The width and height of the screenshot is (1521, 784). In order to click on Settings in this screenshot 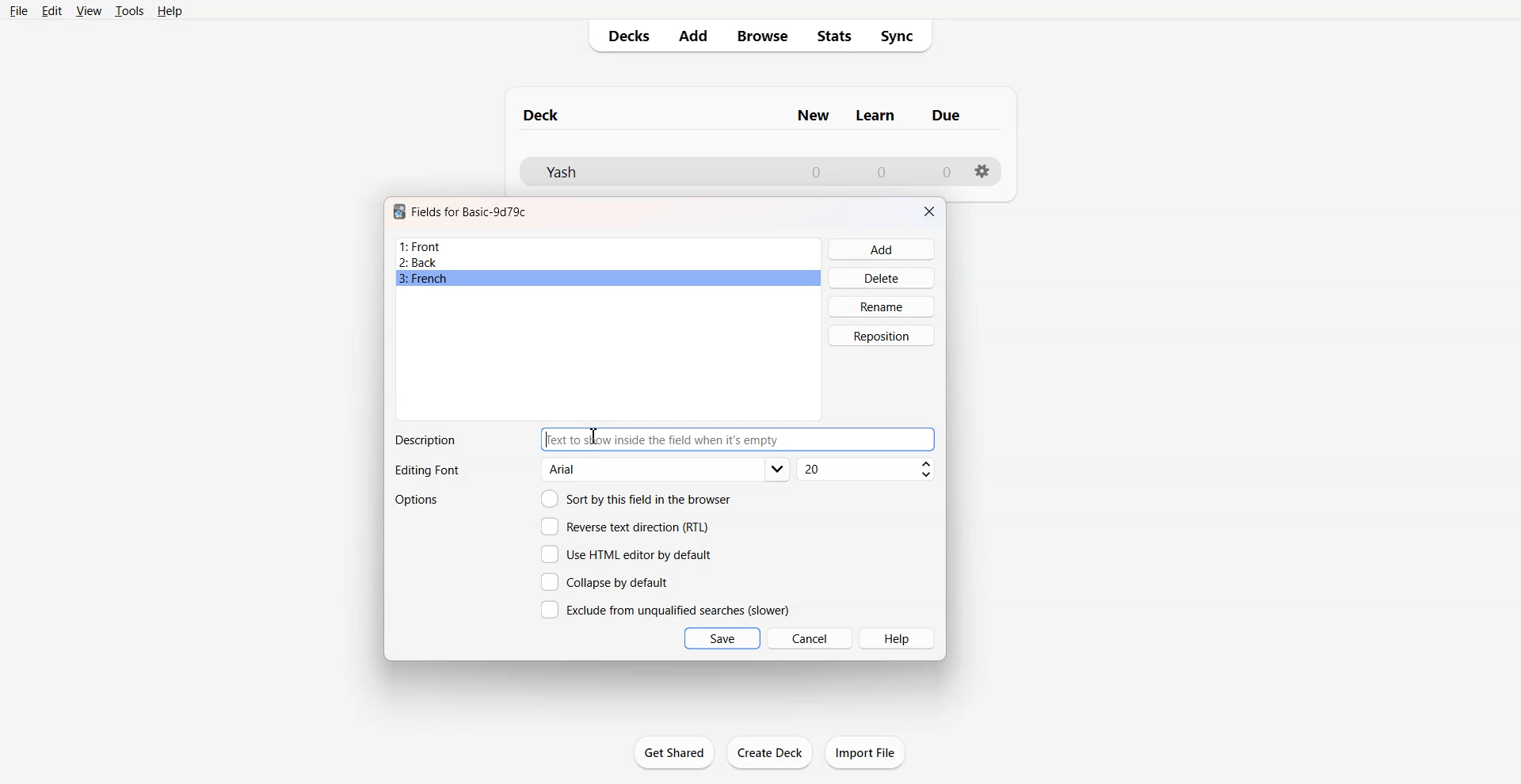, I will do `click(983, 171)`.